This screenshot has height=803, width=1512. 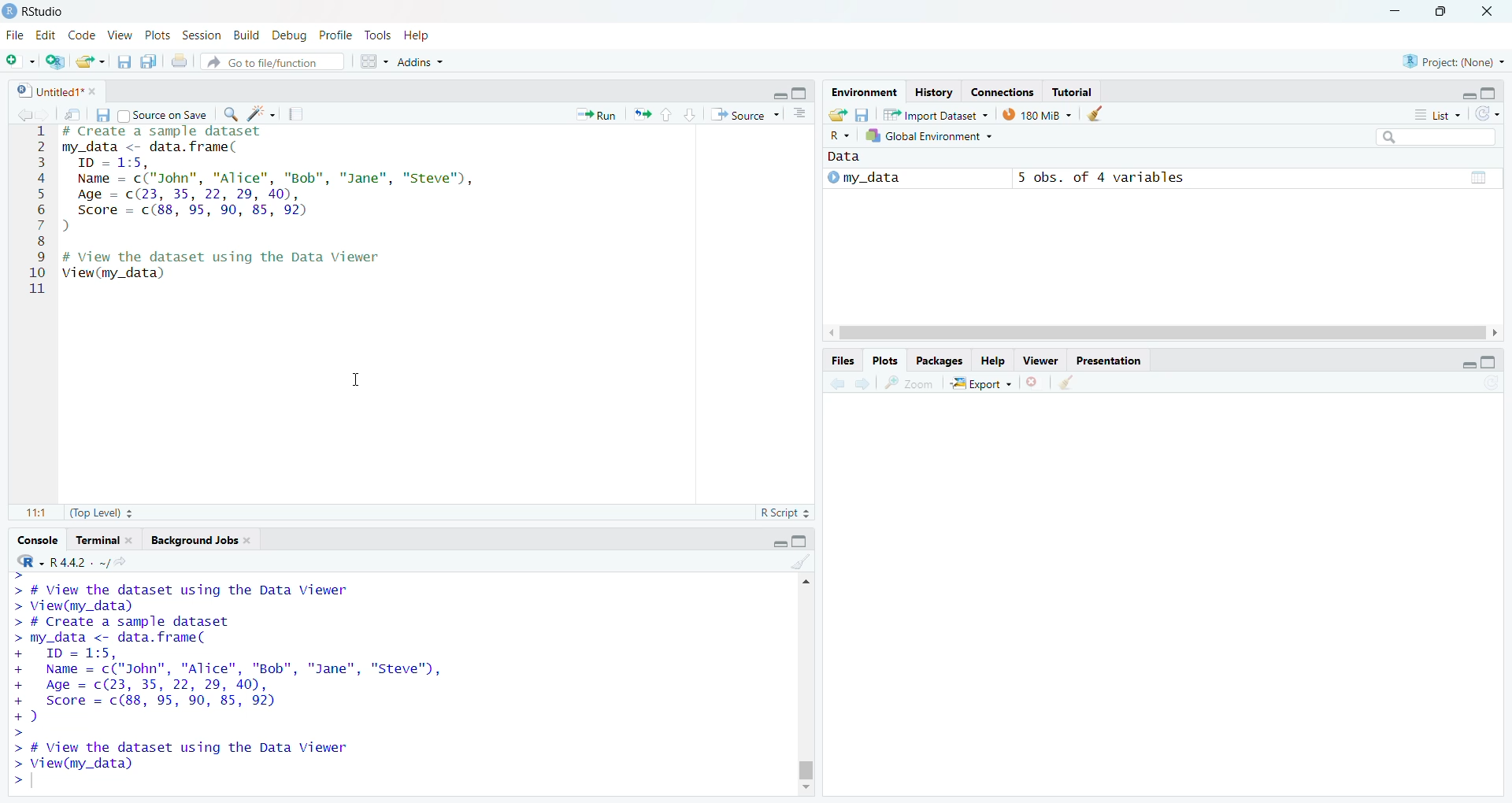 What do you see at coordinates (1073, 92) in the screenshot?
I see `Tutorial` at bounding box center [1073, 92].